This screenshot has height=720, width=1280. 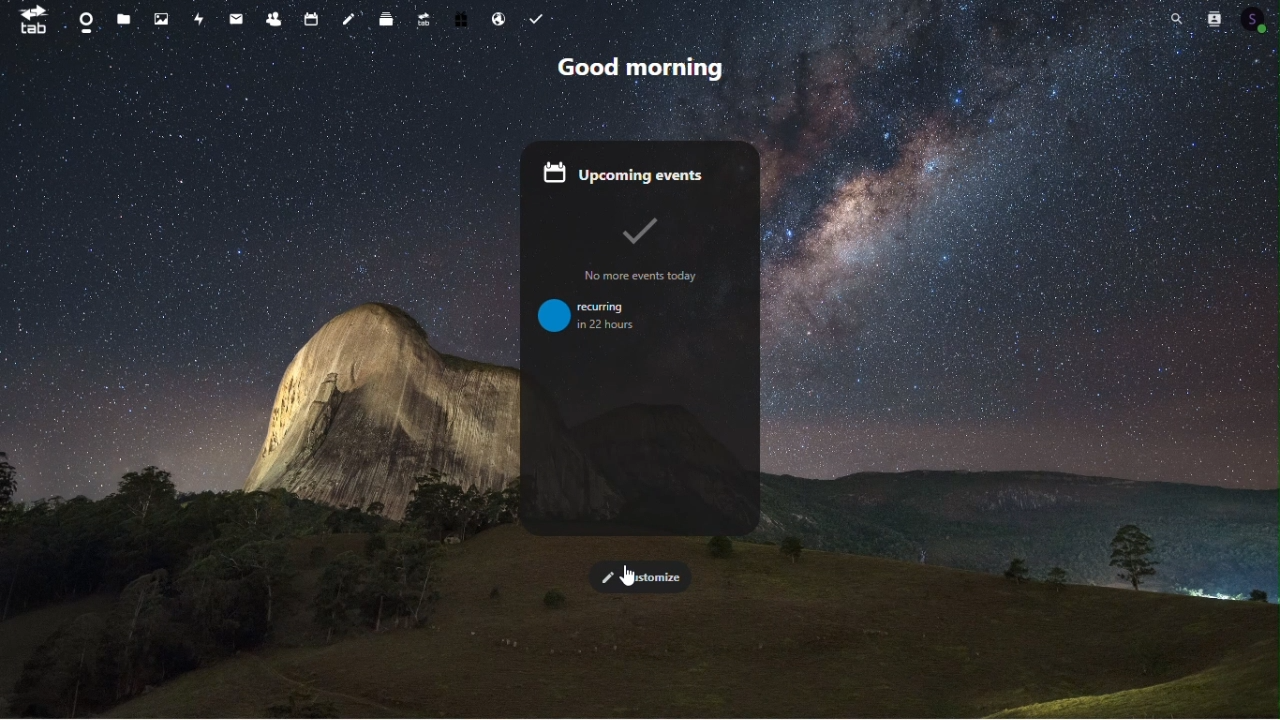 I want to click on Account icon, so click(x=1258, y=16).